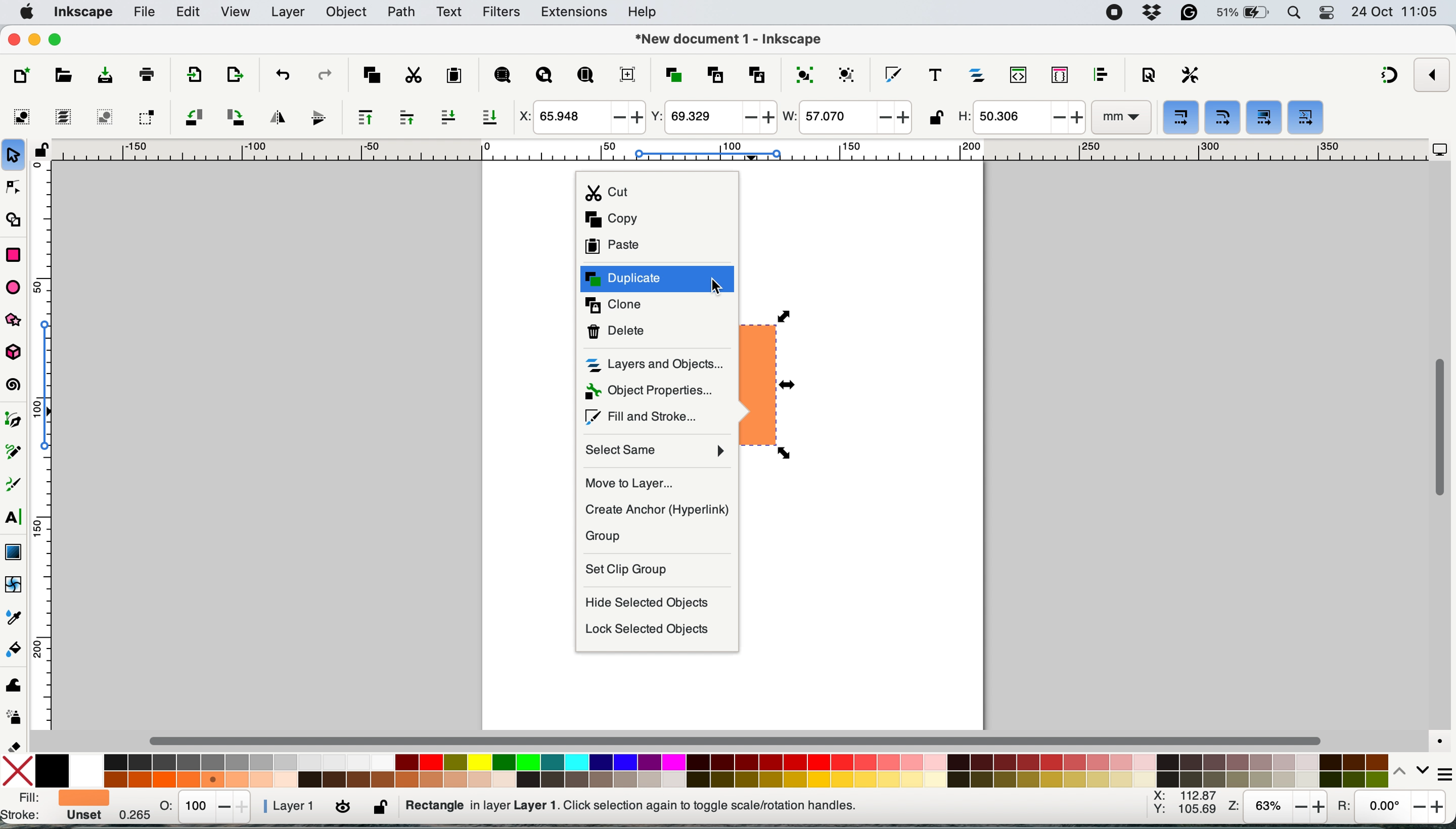 Image resolution: width=1456 pixels, height=829 pixels. Describe the element at coordinates (739, 153) in the screenshot. I see `horizontal scale` at that location.